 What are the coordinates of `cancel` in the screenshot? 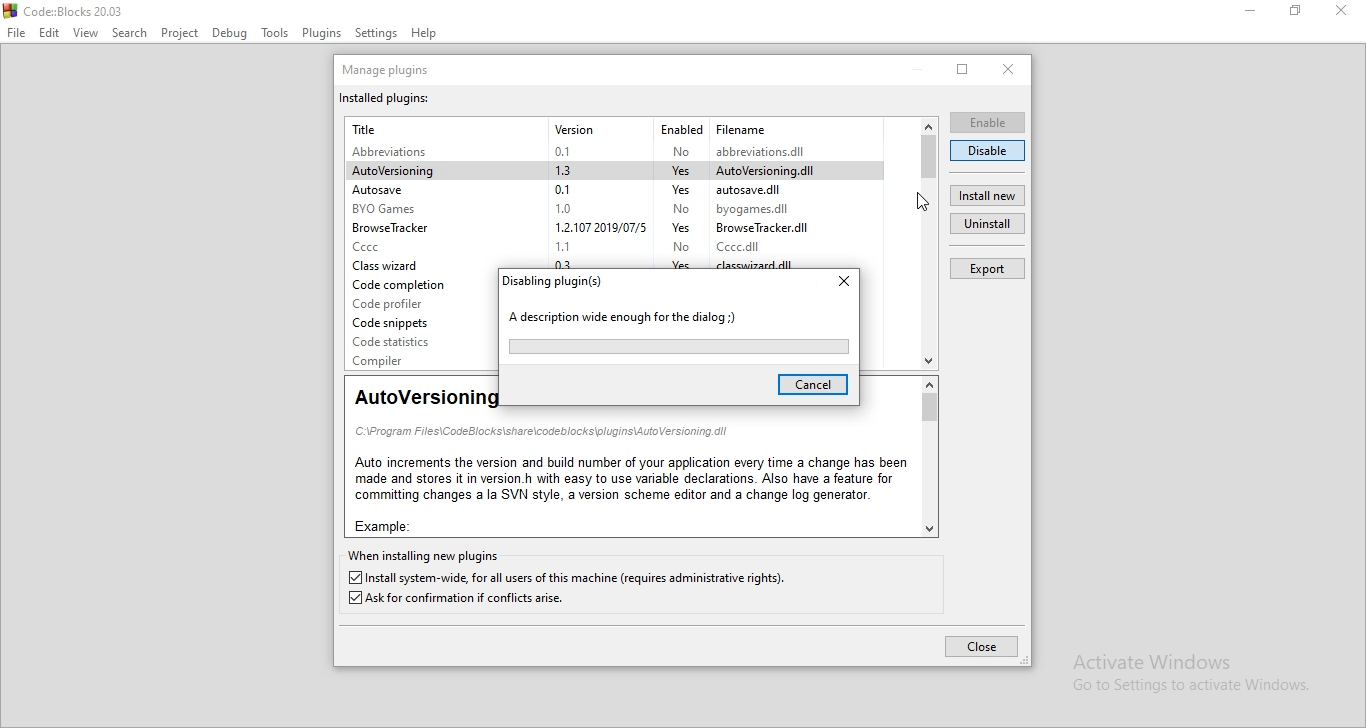 It's located at (812, 385).